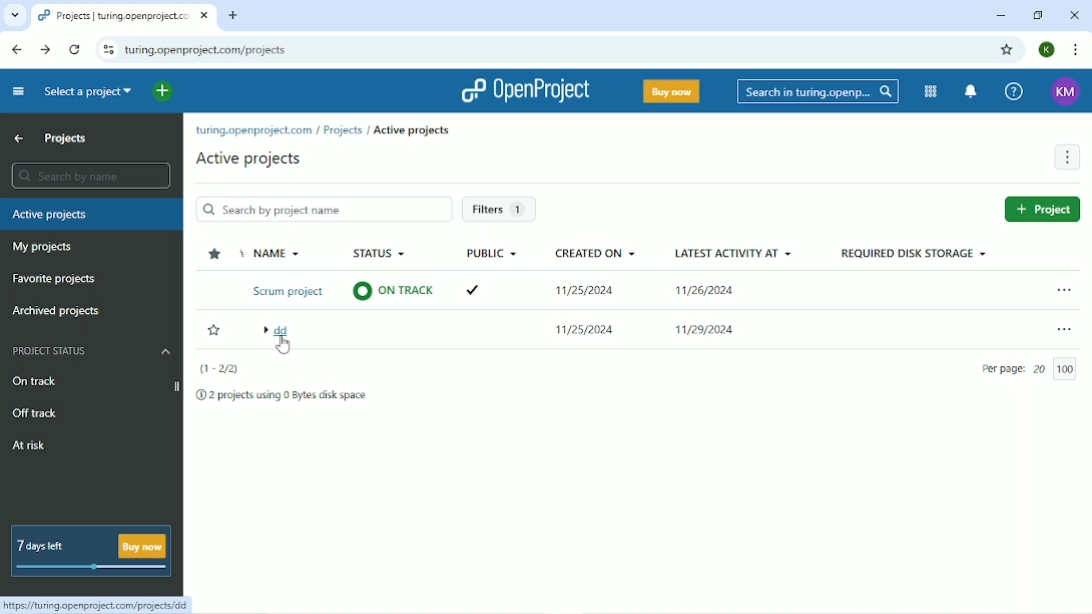  I want to click on dd, so click(280, 333).